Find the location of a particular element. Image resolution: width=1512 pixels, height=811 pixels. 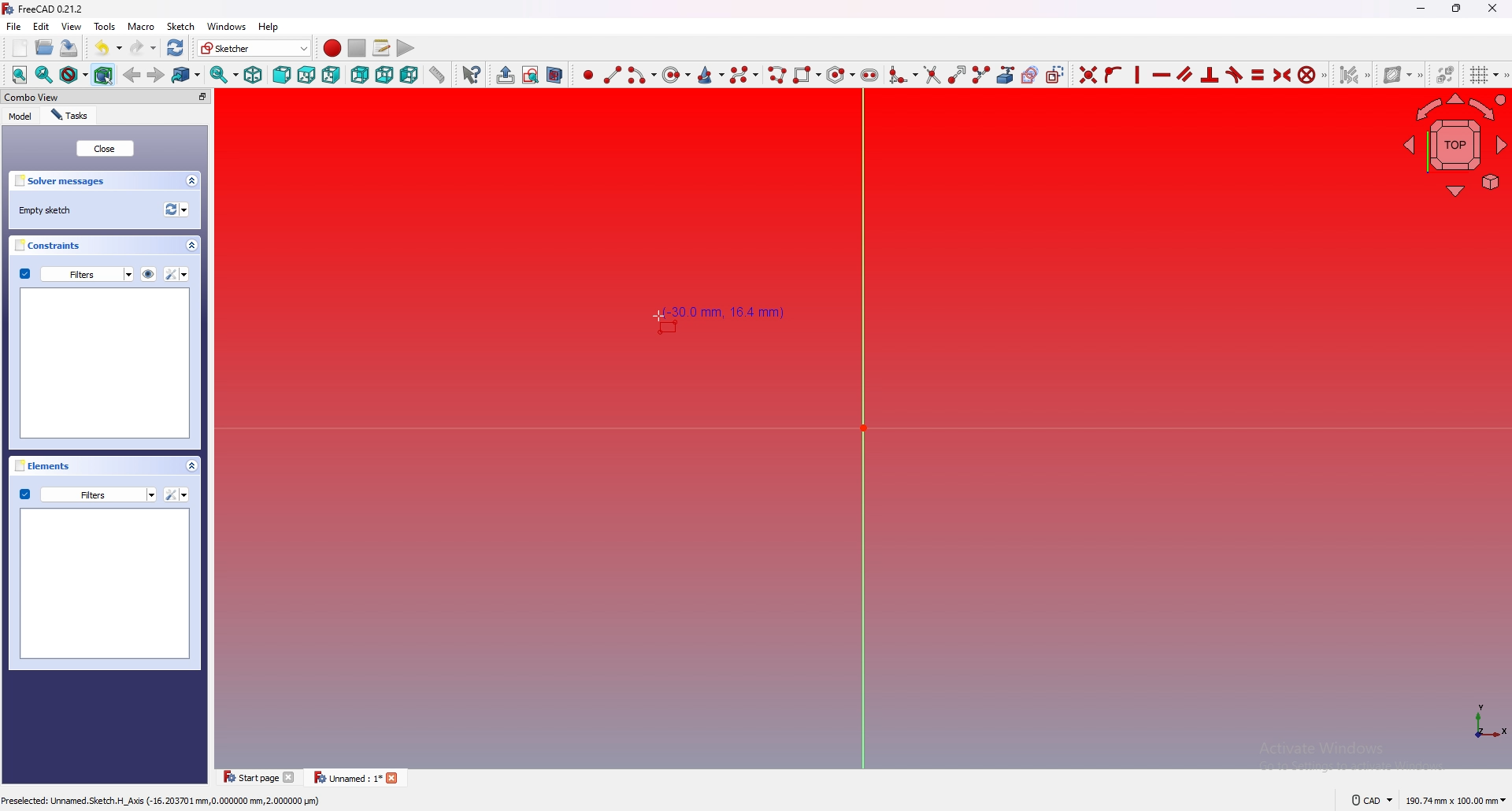

cad navigation is located at coordinates (1373, 800).